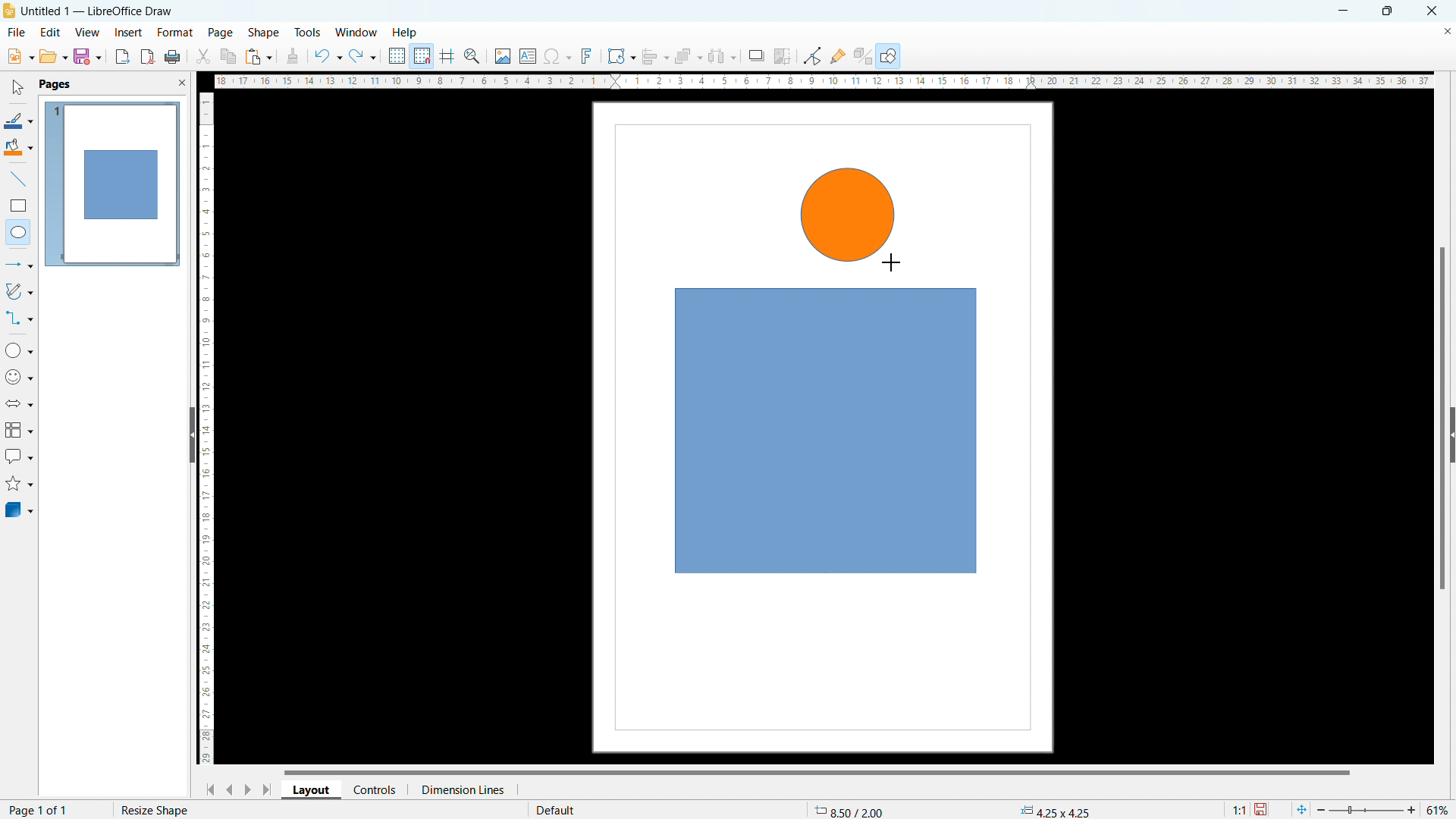 The height and width of the screenshot is (819, 1456). I want to click on redo, so click(362, 57).